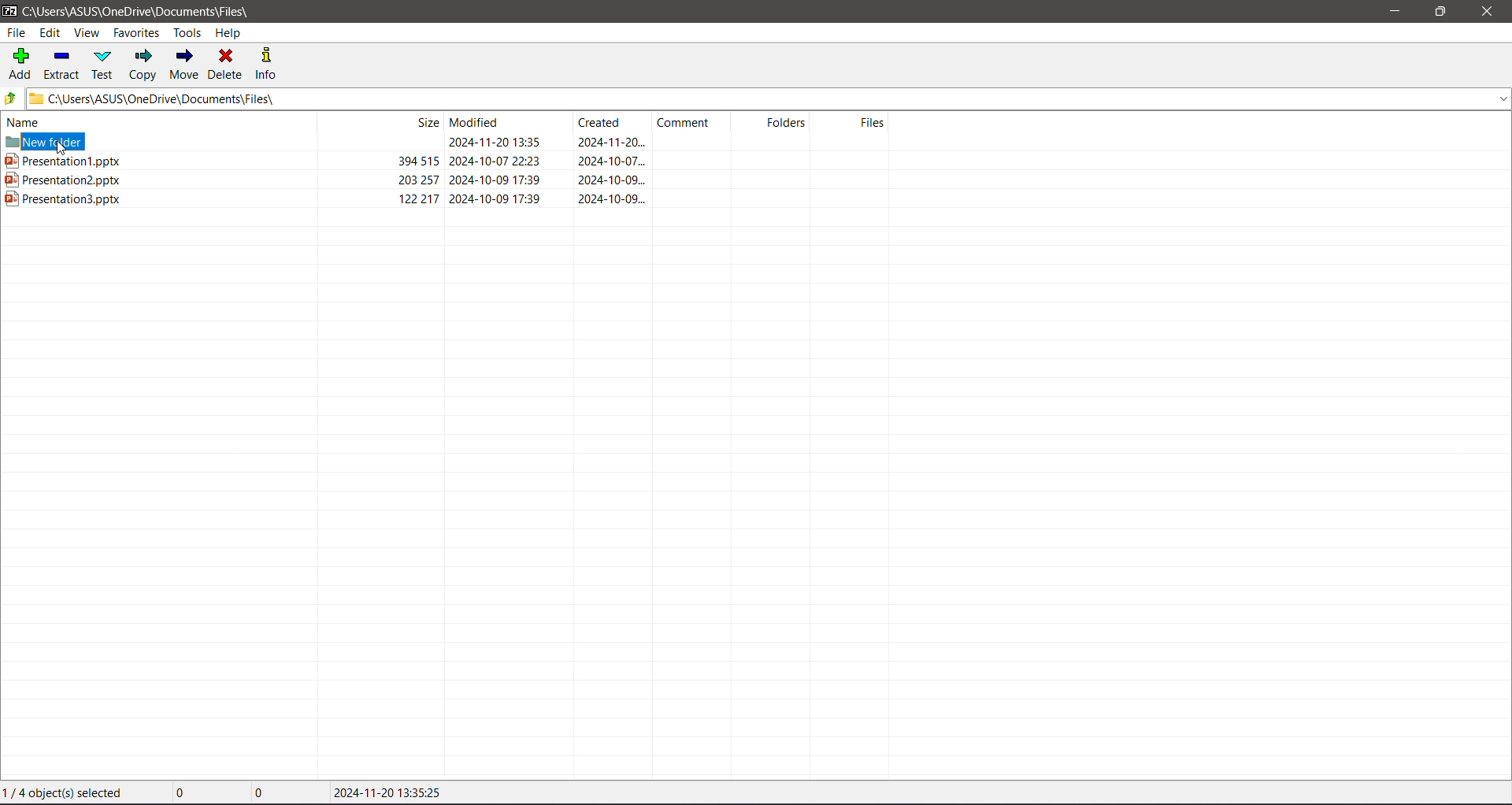  What do you see at coordinates (70, 793) in the screenshot?
I see `Current Selection` at bounding box center [70, 793].